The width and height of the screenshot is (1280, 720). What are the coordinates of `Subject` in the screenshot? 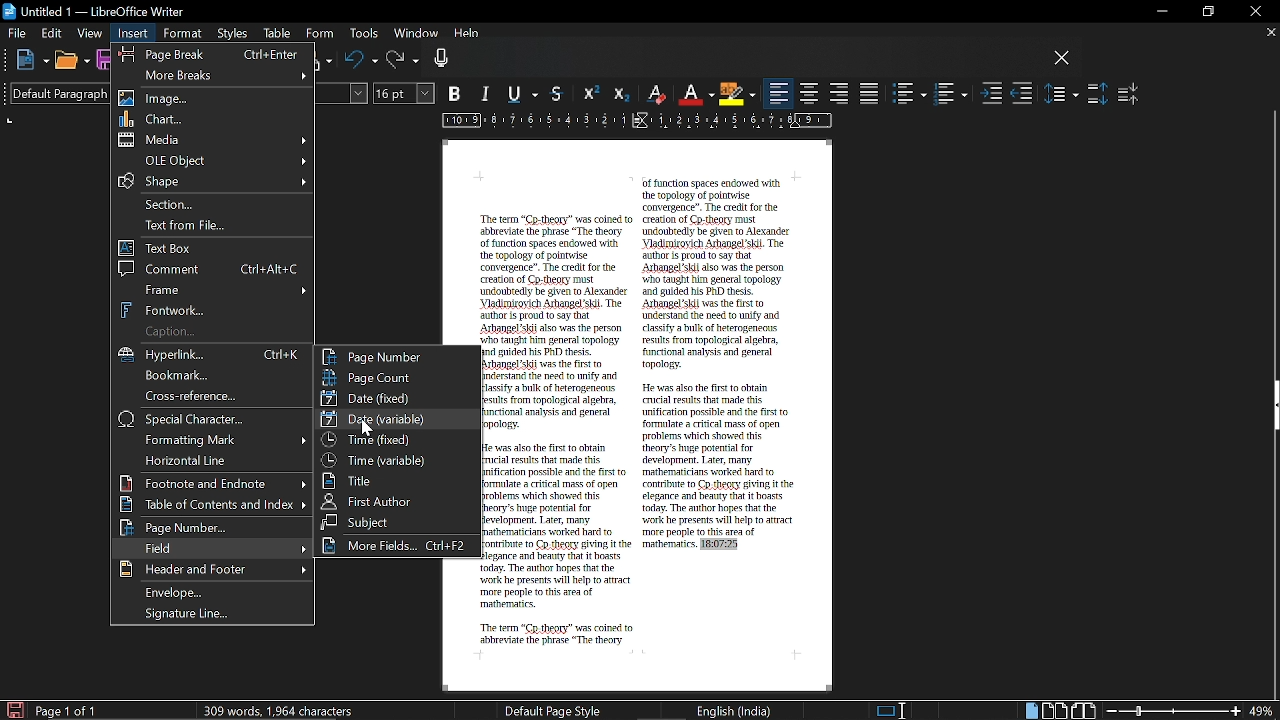 It's located at (395, 522).